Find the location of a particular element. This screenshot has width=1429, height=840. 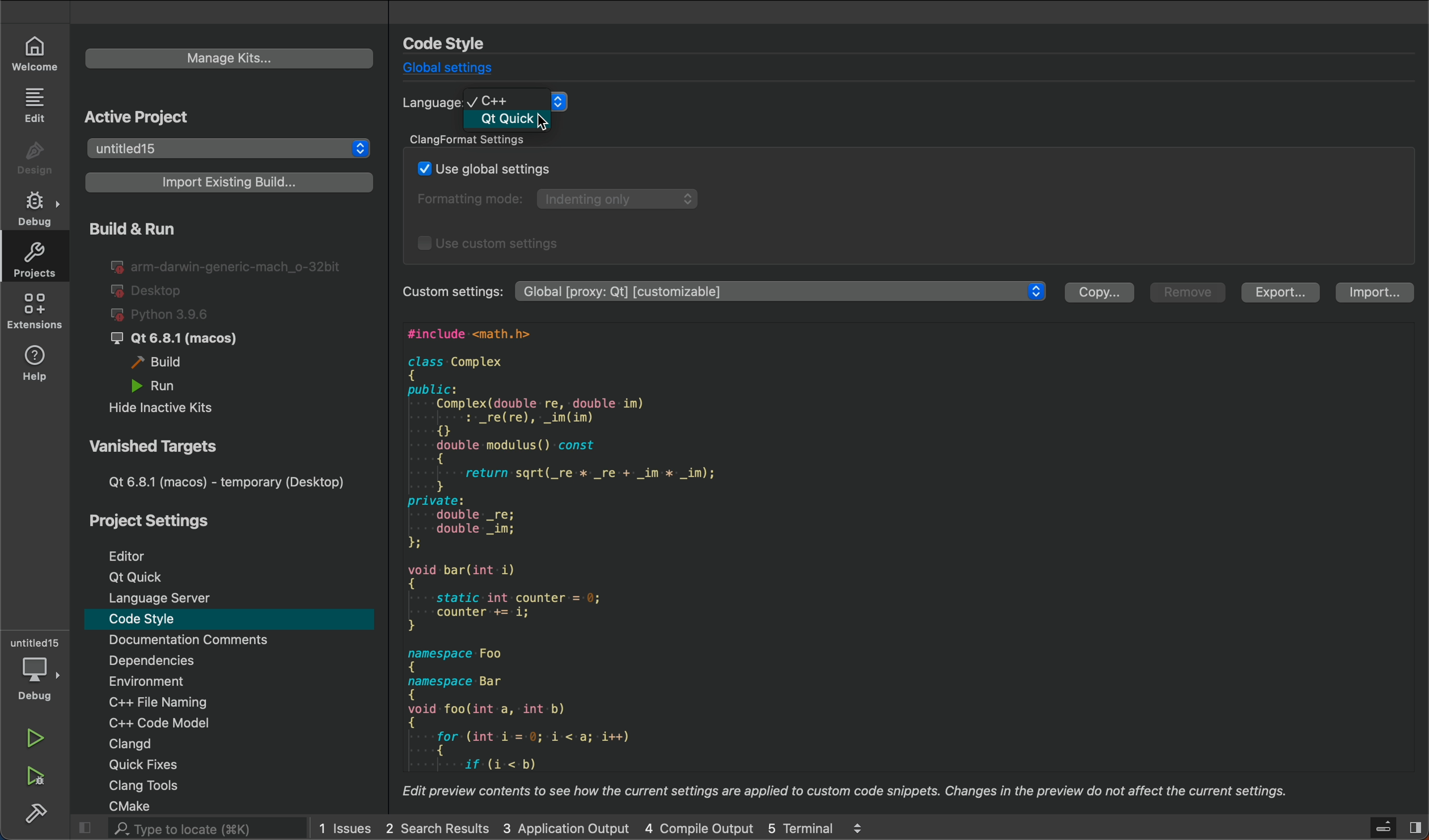

quick fixes is located at coordinates (158, 765).